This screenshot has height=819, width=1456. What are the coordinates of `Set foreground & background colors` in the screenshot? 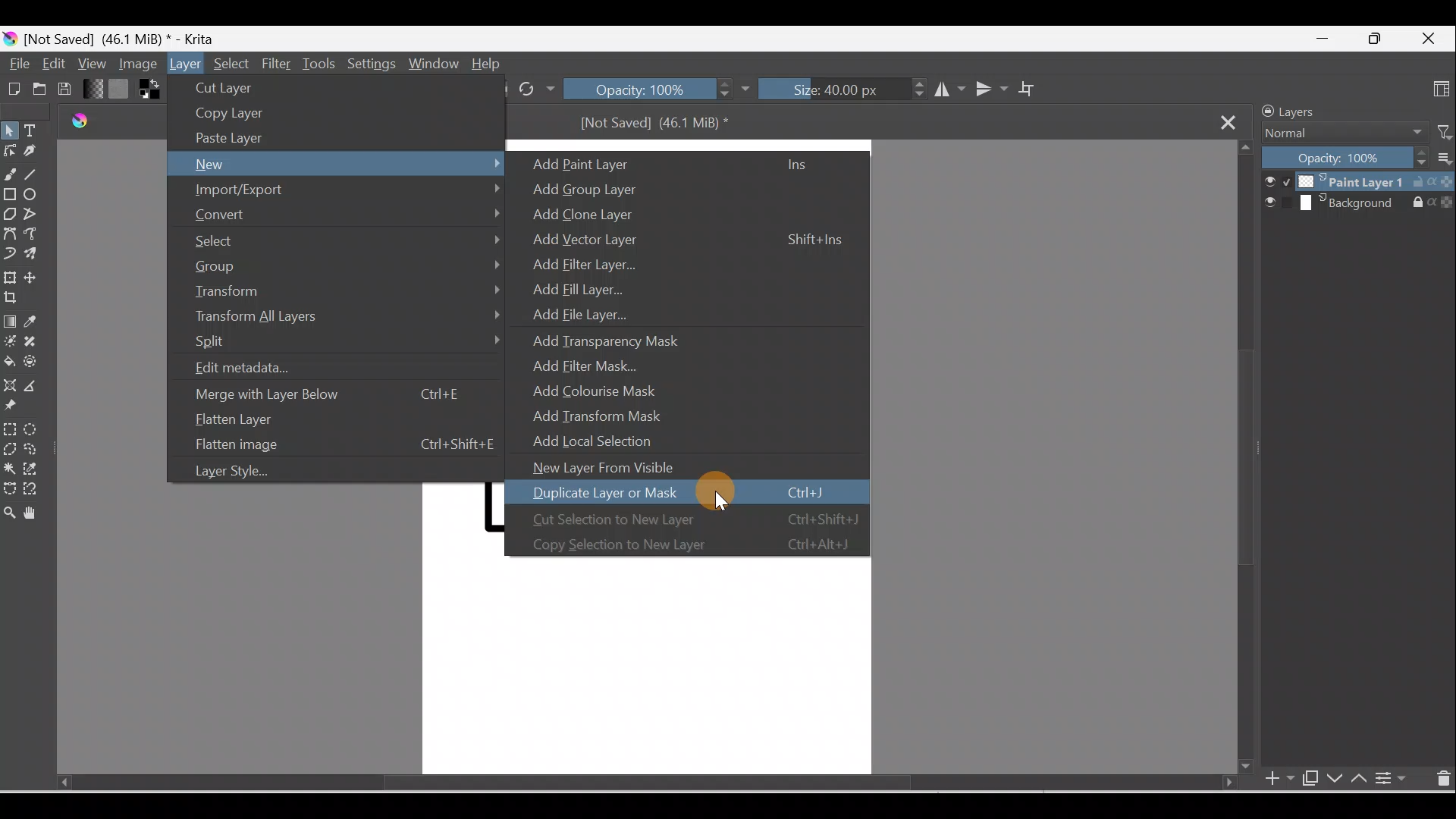 It's located at (149, 92).